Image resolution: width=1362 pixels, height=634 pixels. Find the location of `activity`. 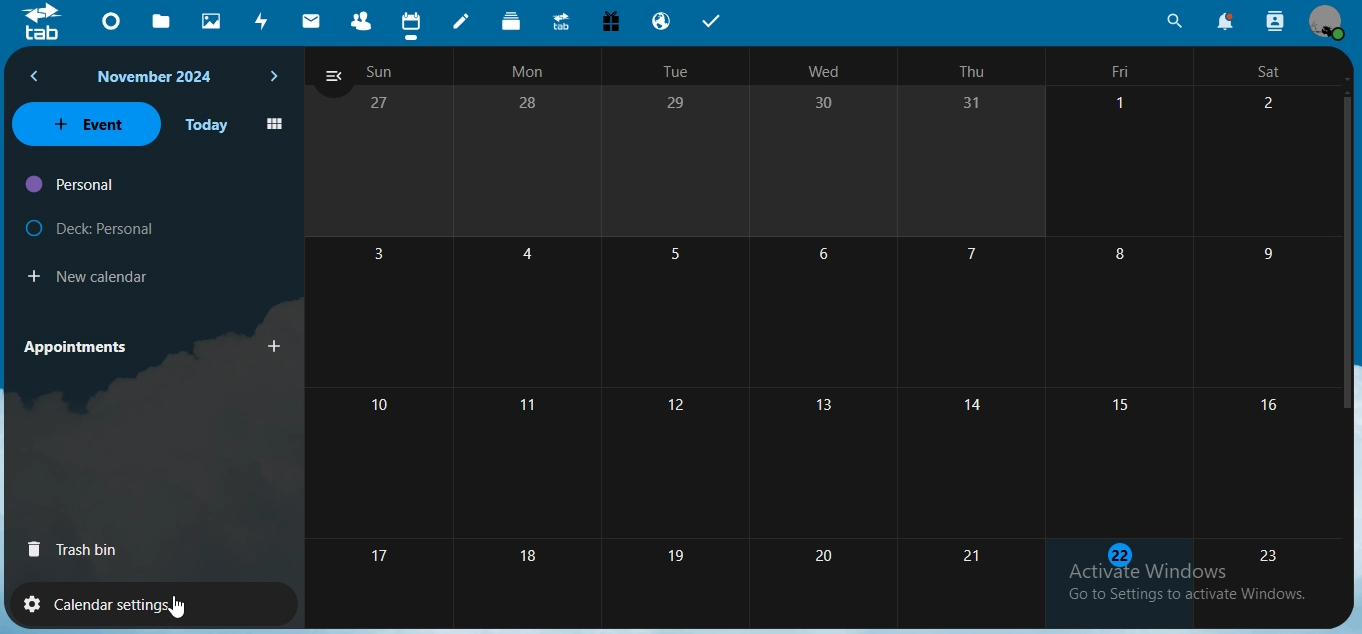

activity is located at coordinates (264, 24).